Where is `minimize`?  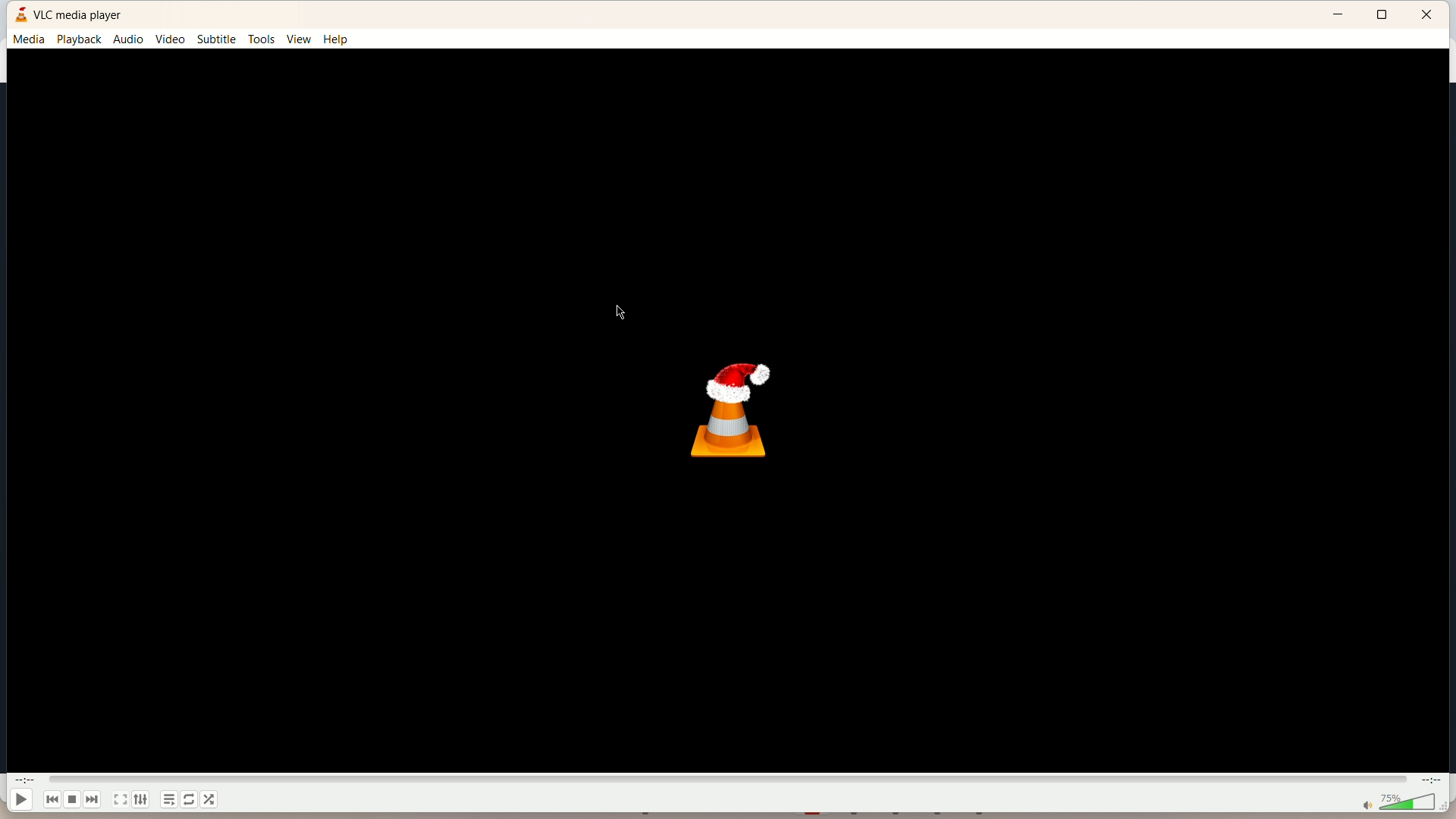
minimize is located at coordinates (1332, 15).